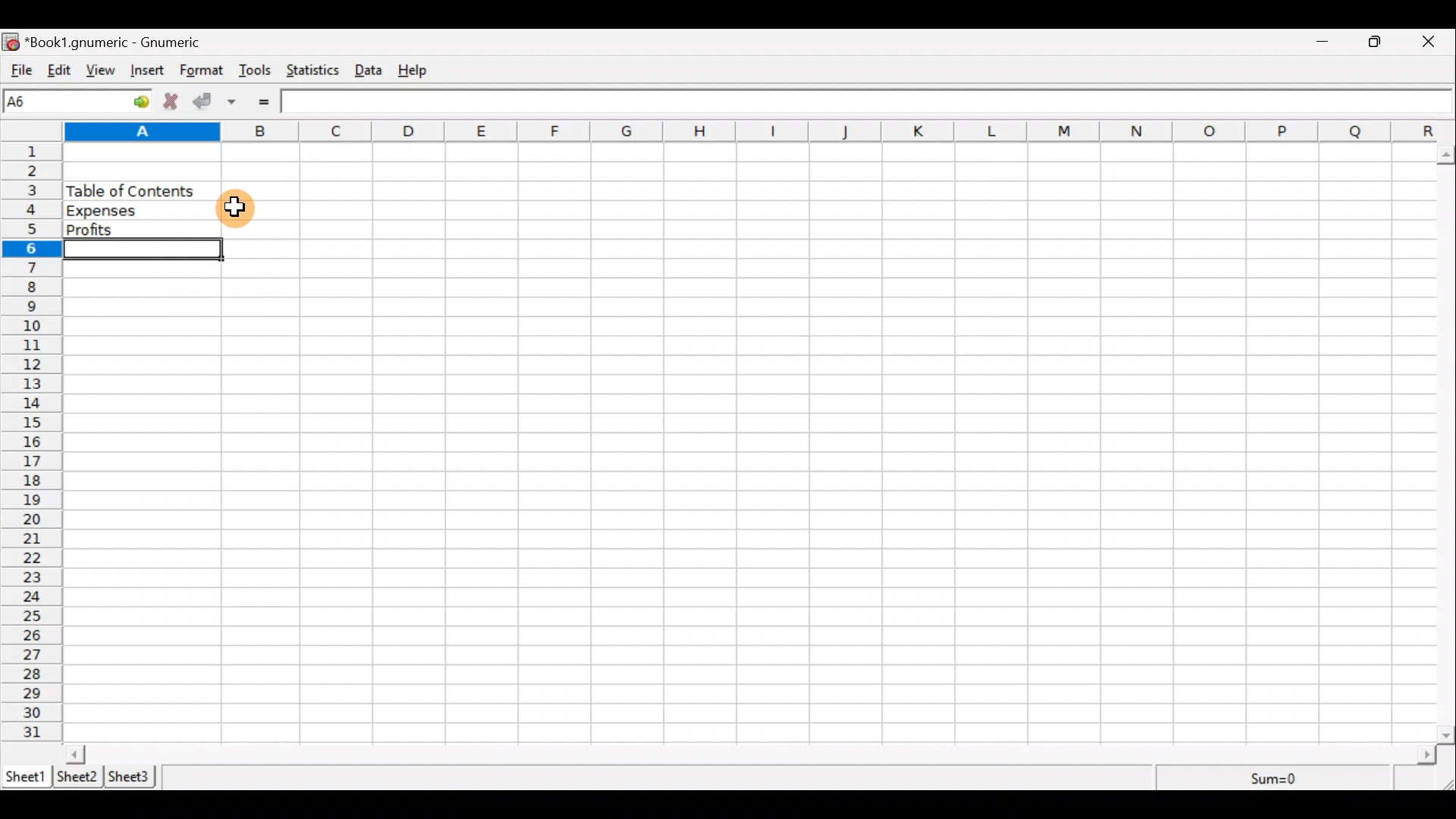 The width and height of the screenshot is (1456, 819). What do you see at coordinates (752, 754) in the screenshot?
I see `Scroll bar` at bounding box center [752, 754].